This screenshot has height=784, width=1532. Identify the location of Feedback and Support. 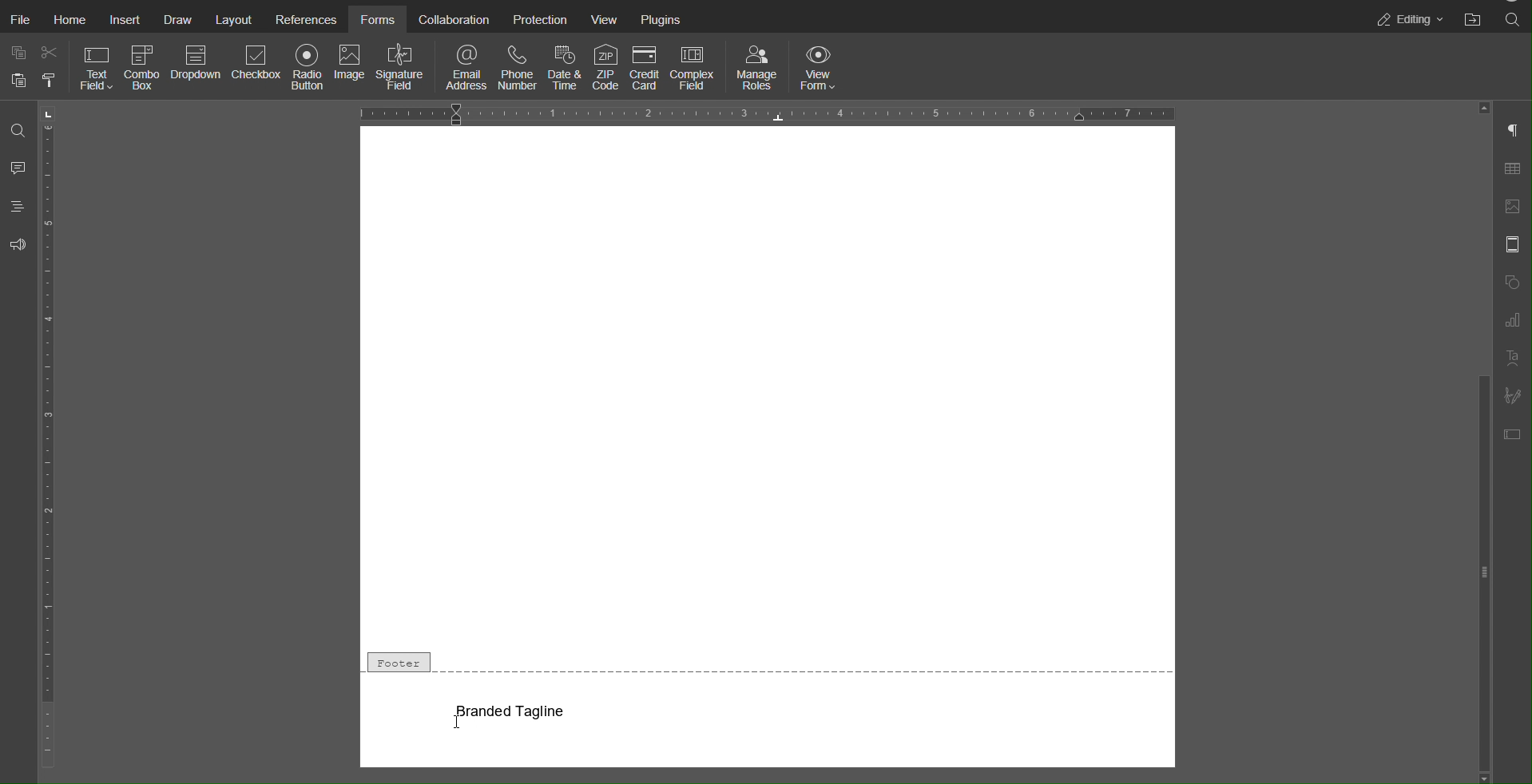
(18, 245).